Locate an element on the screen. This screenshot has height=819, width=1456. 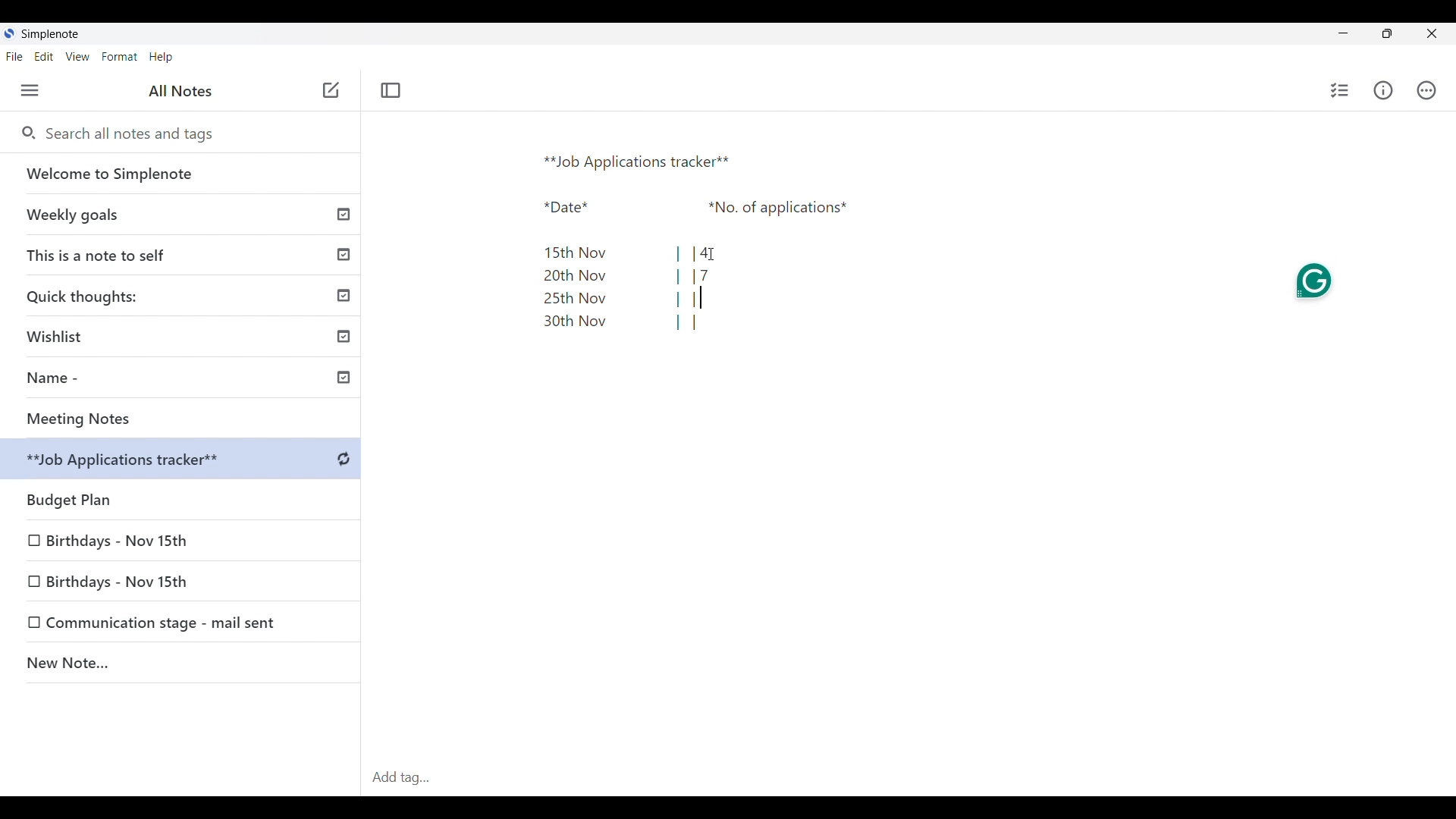
Text pasted is located at coordinates (682, 236).